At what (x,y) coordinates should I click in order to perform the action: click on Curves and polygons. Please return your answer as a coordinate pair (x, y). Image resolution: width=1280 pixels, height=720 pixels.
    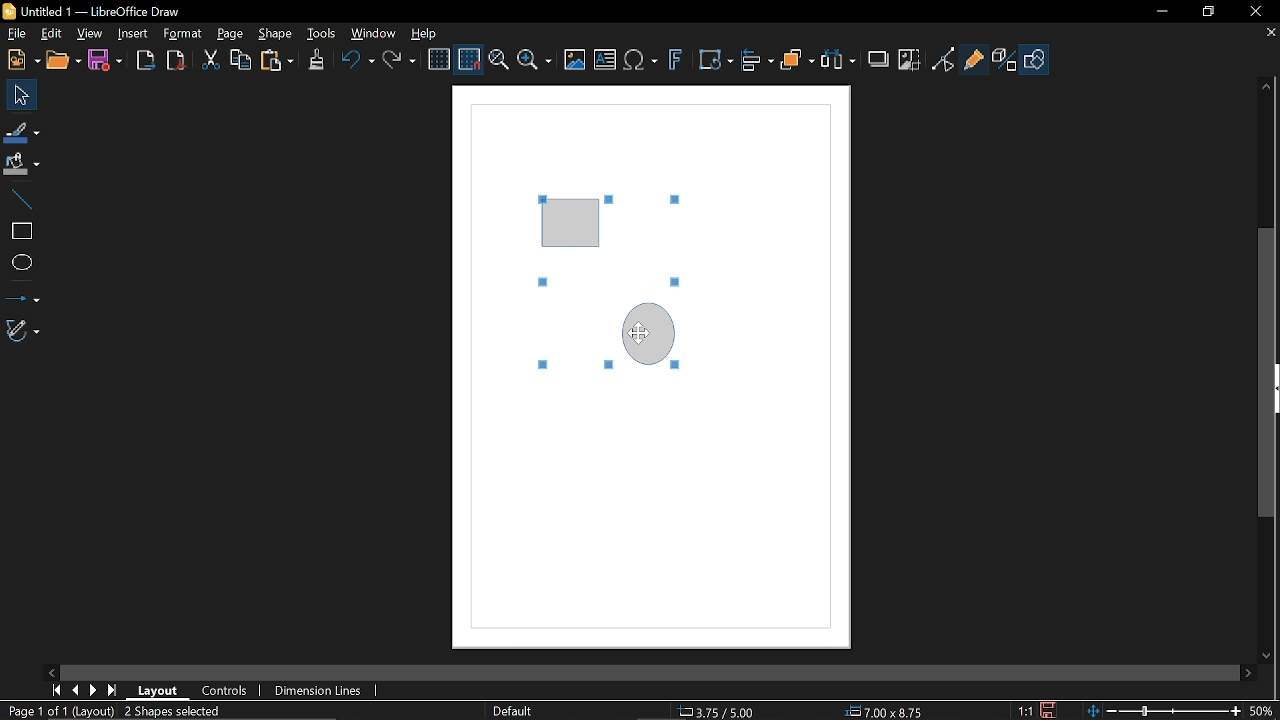
    Looking at the image, I should click on (20, 329).